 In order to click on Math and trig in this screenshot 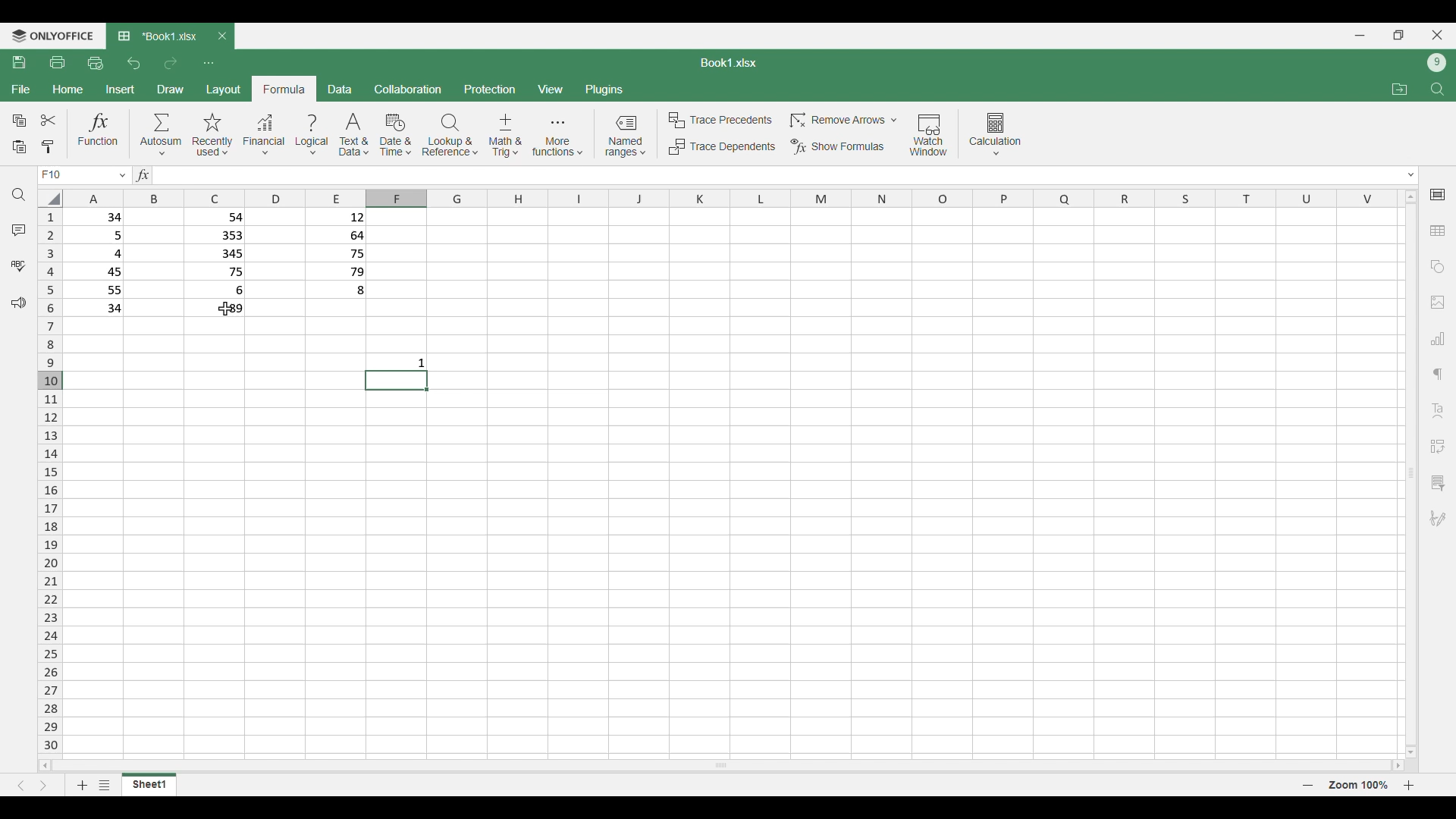, I will do `click(505, 135)`.